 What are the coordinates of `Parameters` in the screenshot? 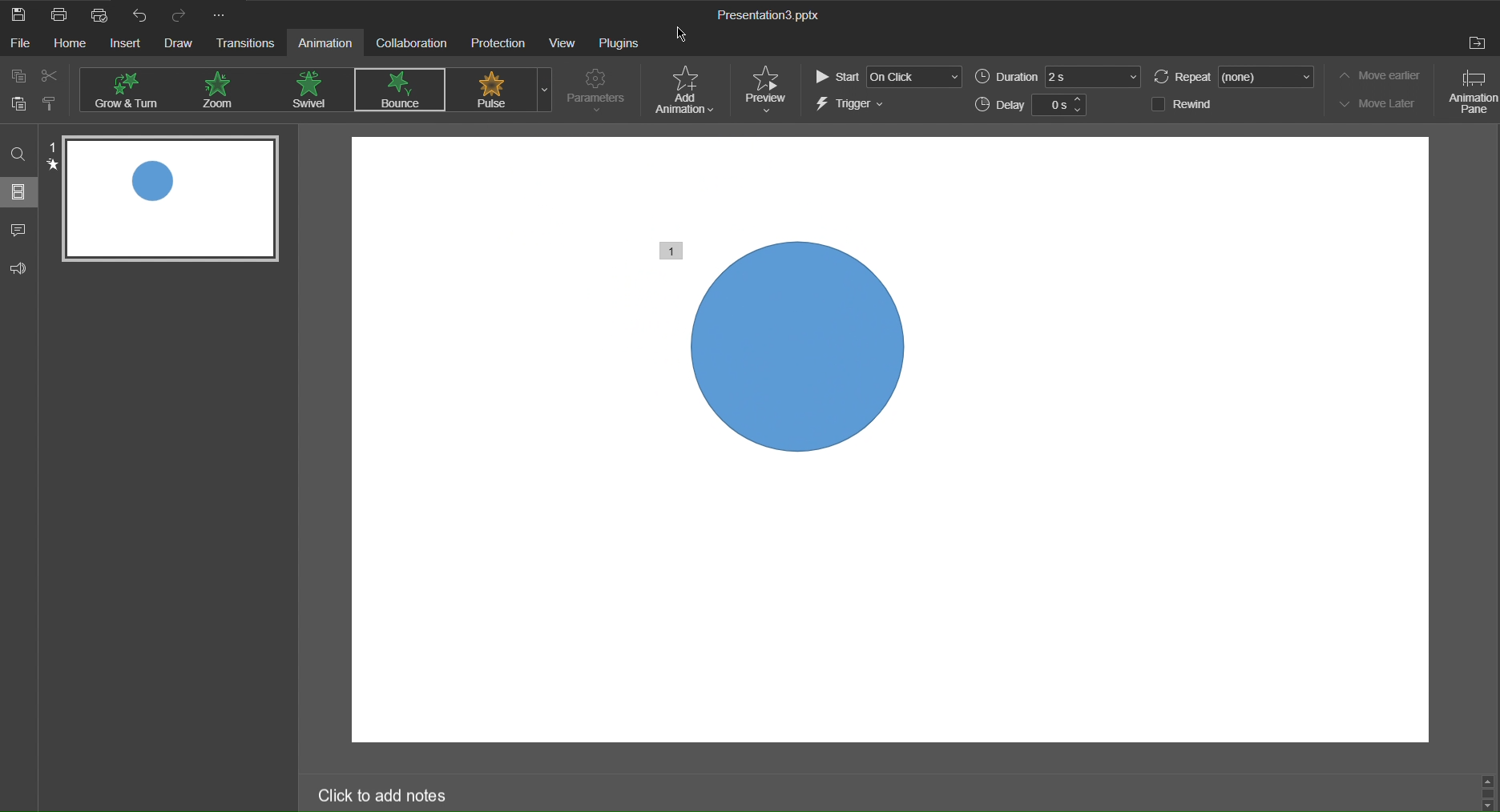 It's located at (598, 91).